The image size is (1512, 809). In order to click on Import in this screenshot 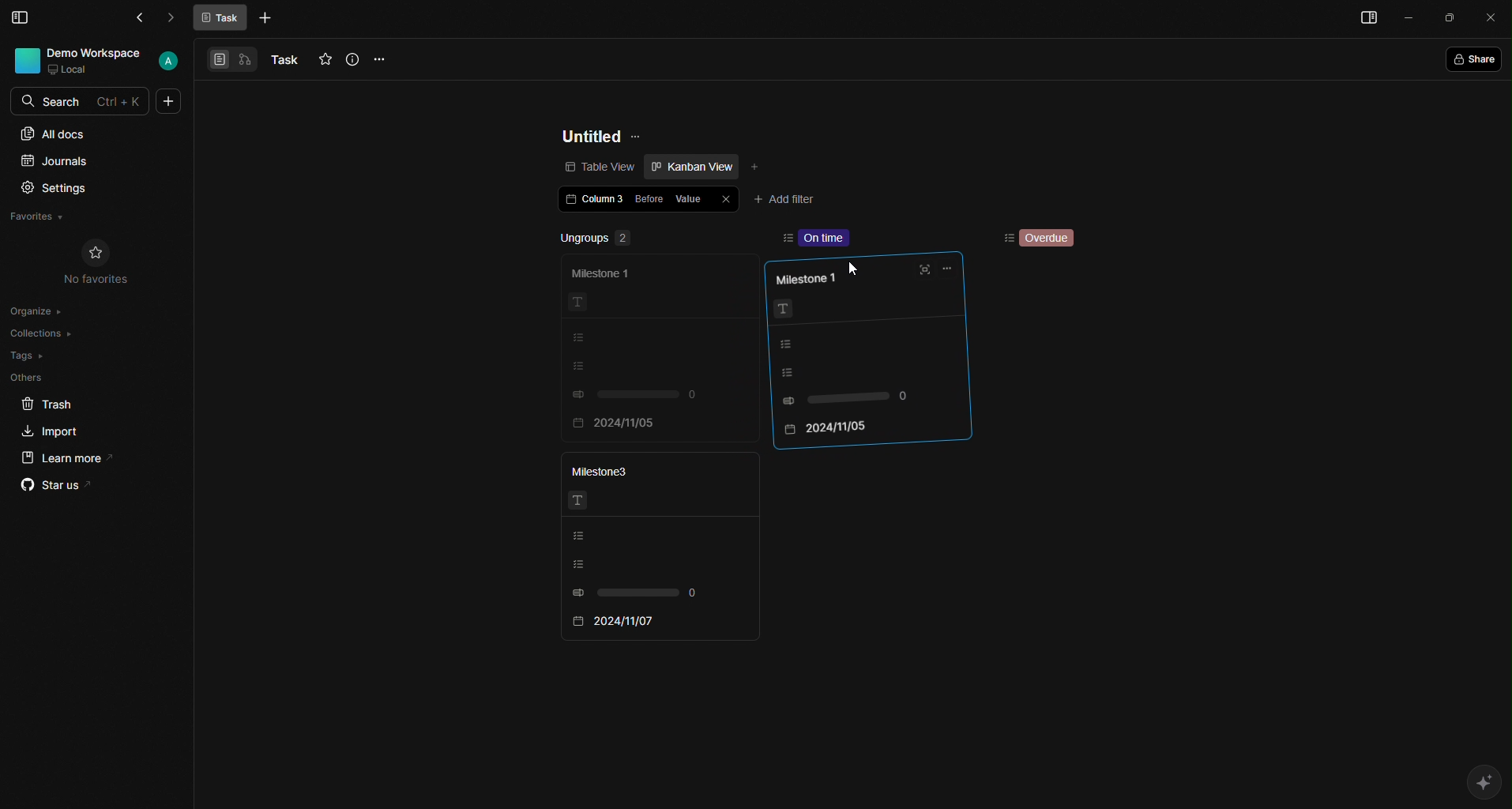, I will do `click(51, 431)`.